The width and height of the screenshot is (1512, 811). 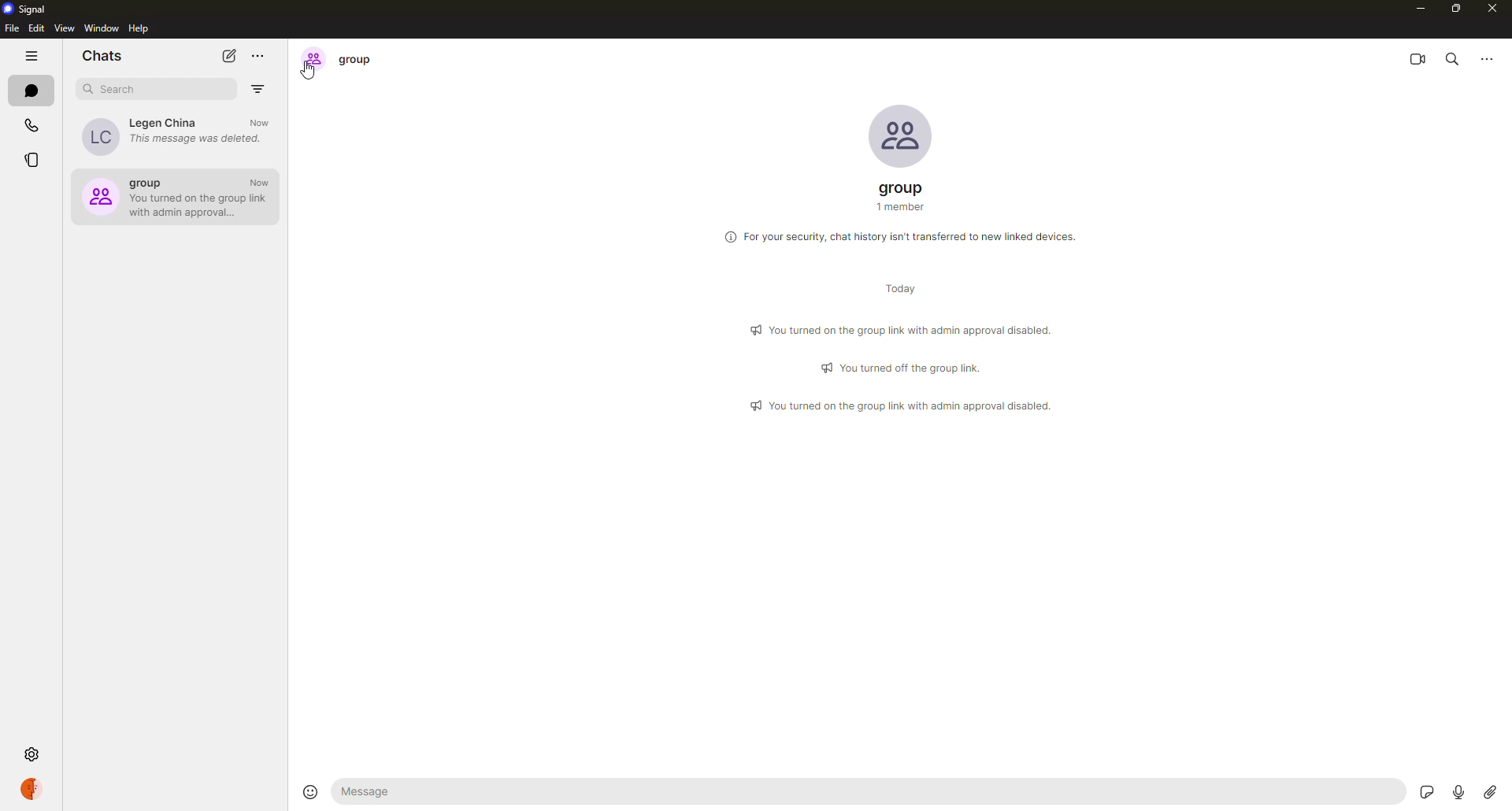 What do you see at coordinates (309, 791) in the screenshot?
I see `emoji` at bounding box center [309, 791].